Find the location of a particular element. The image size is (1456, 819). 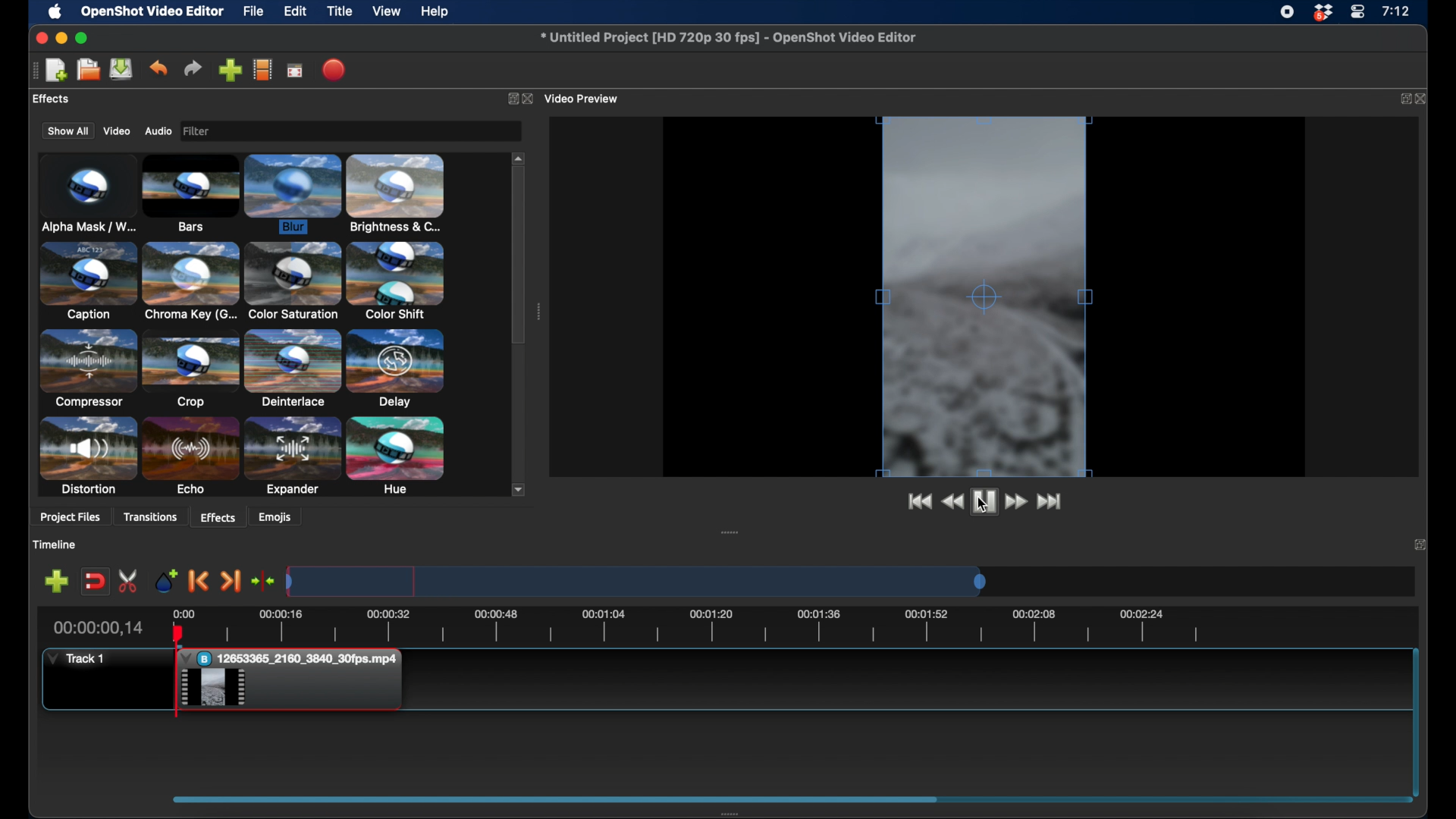

resize handle is located at coordinates (970, 119).